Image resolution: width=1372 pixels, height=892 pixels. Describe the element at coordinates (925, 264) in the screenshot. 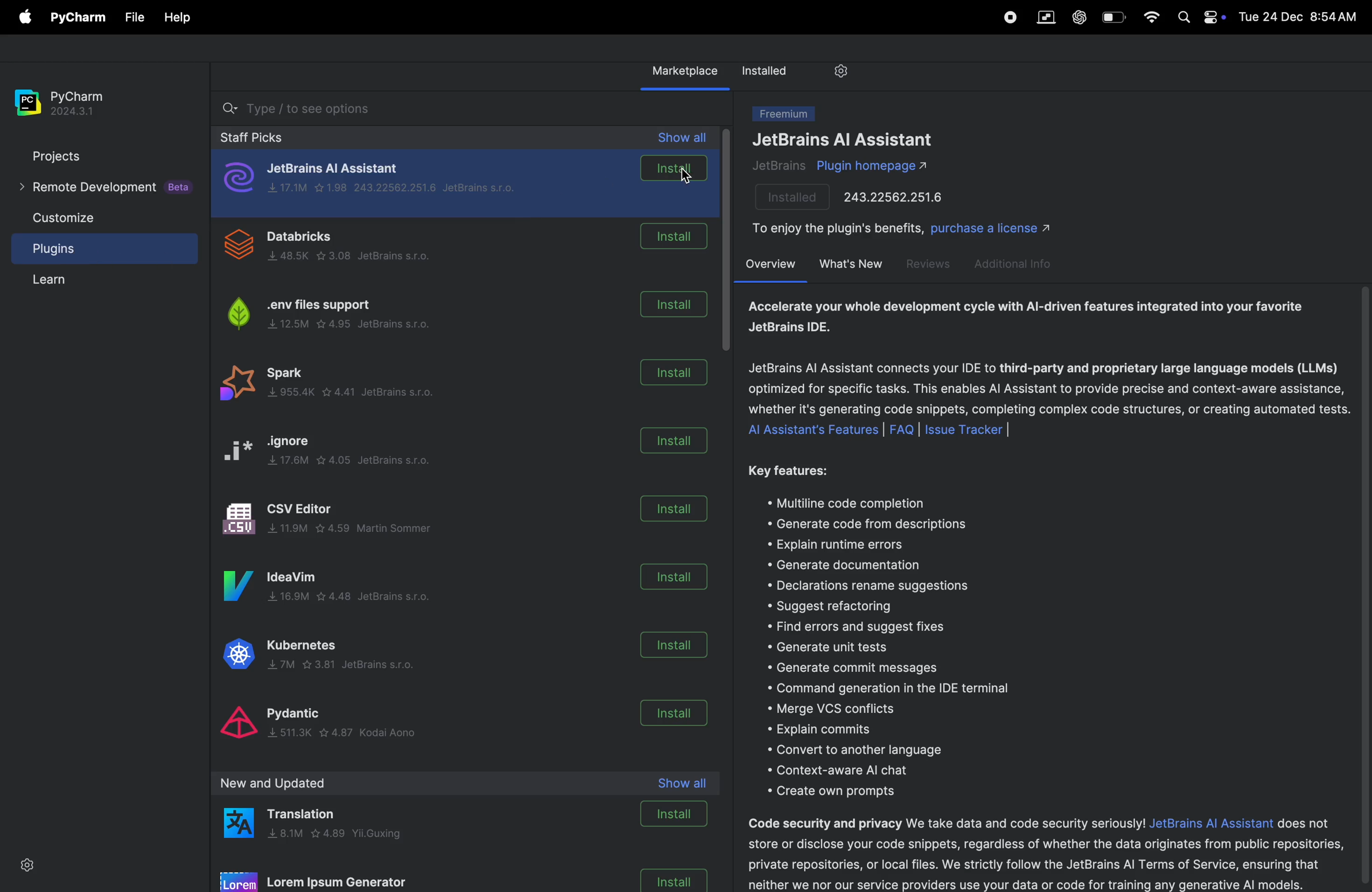

I see `reviews` at that location.